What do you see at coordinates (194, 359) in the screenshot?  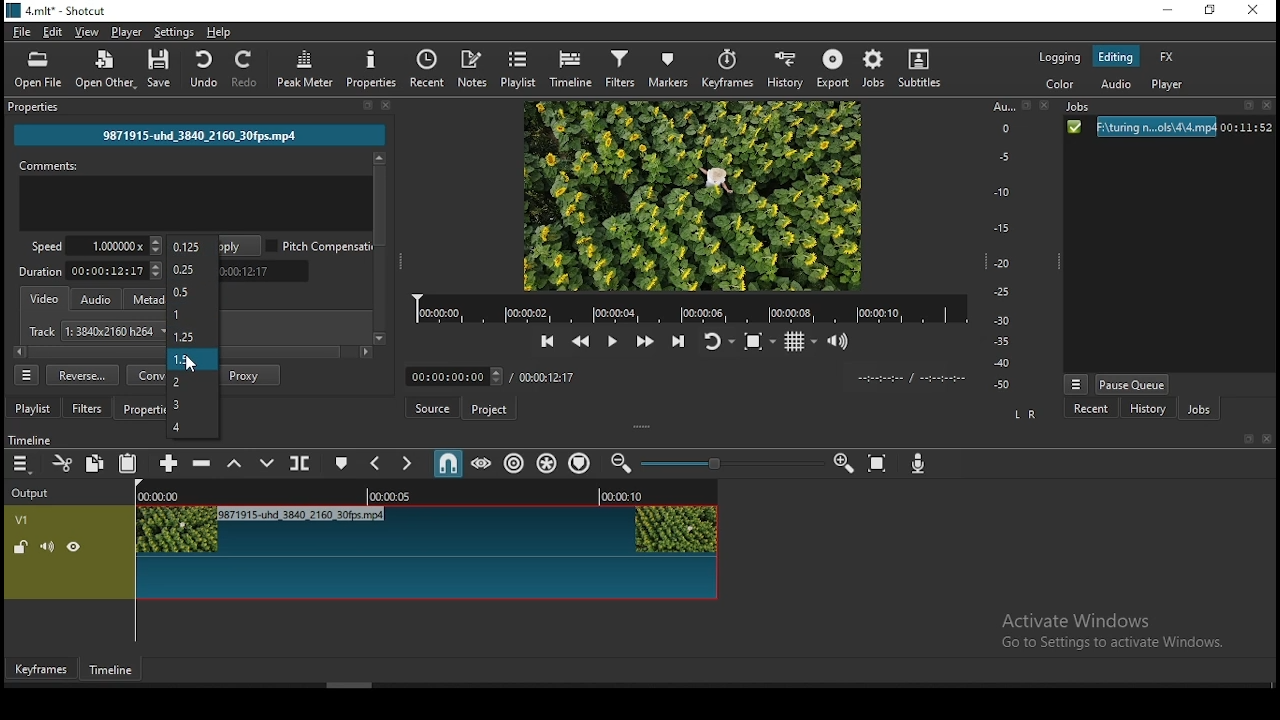 I see `1.5` at bounding box center [194, 359].